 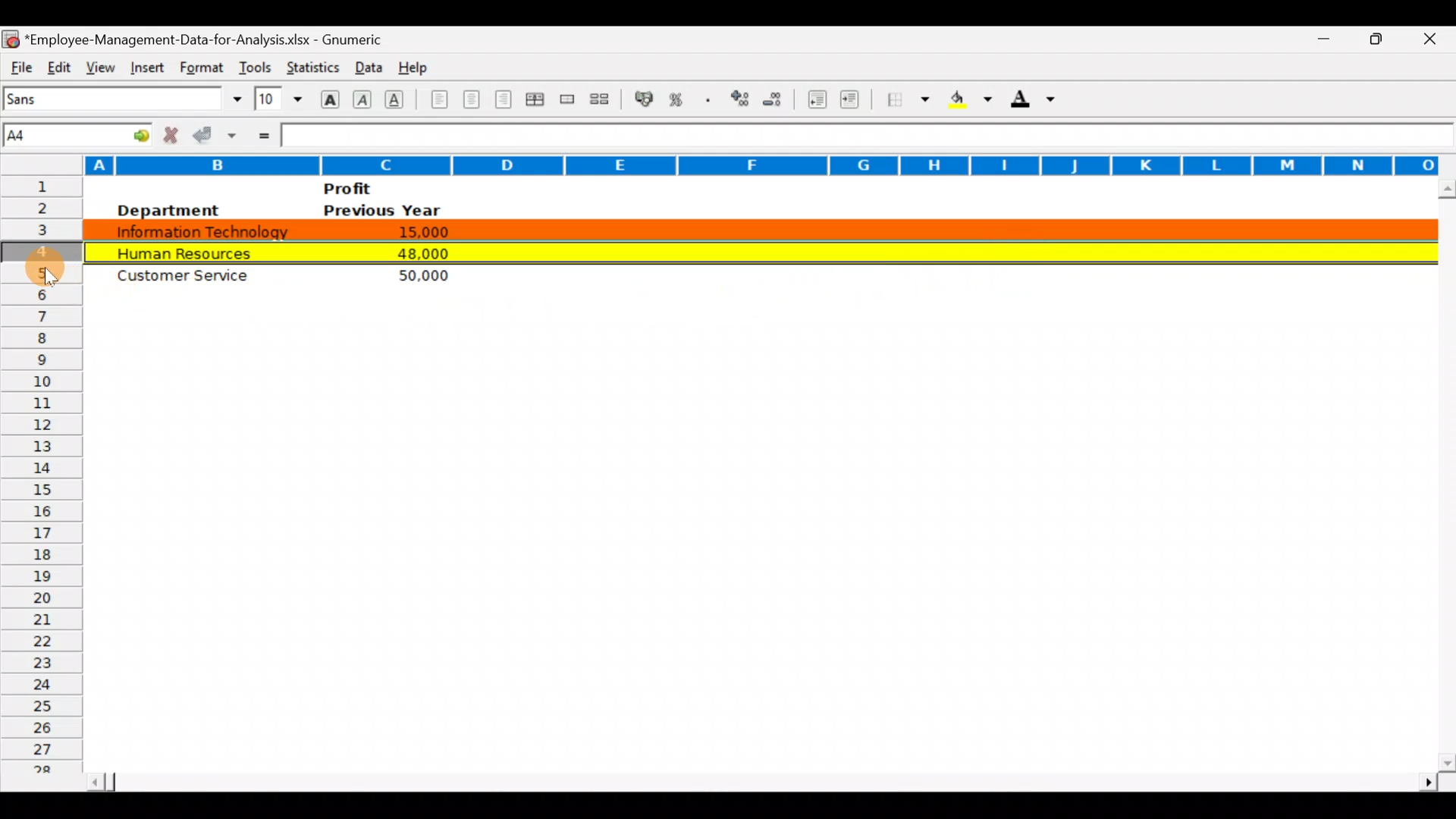 What do you see at coordinates (167, 210) in the screenshot?
I see `Department` at bounding box center [167, 210].